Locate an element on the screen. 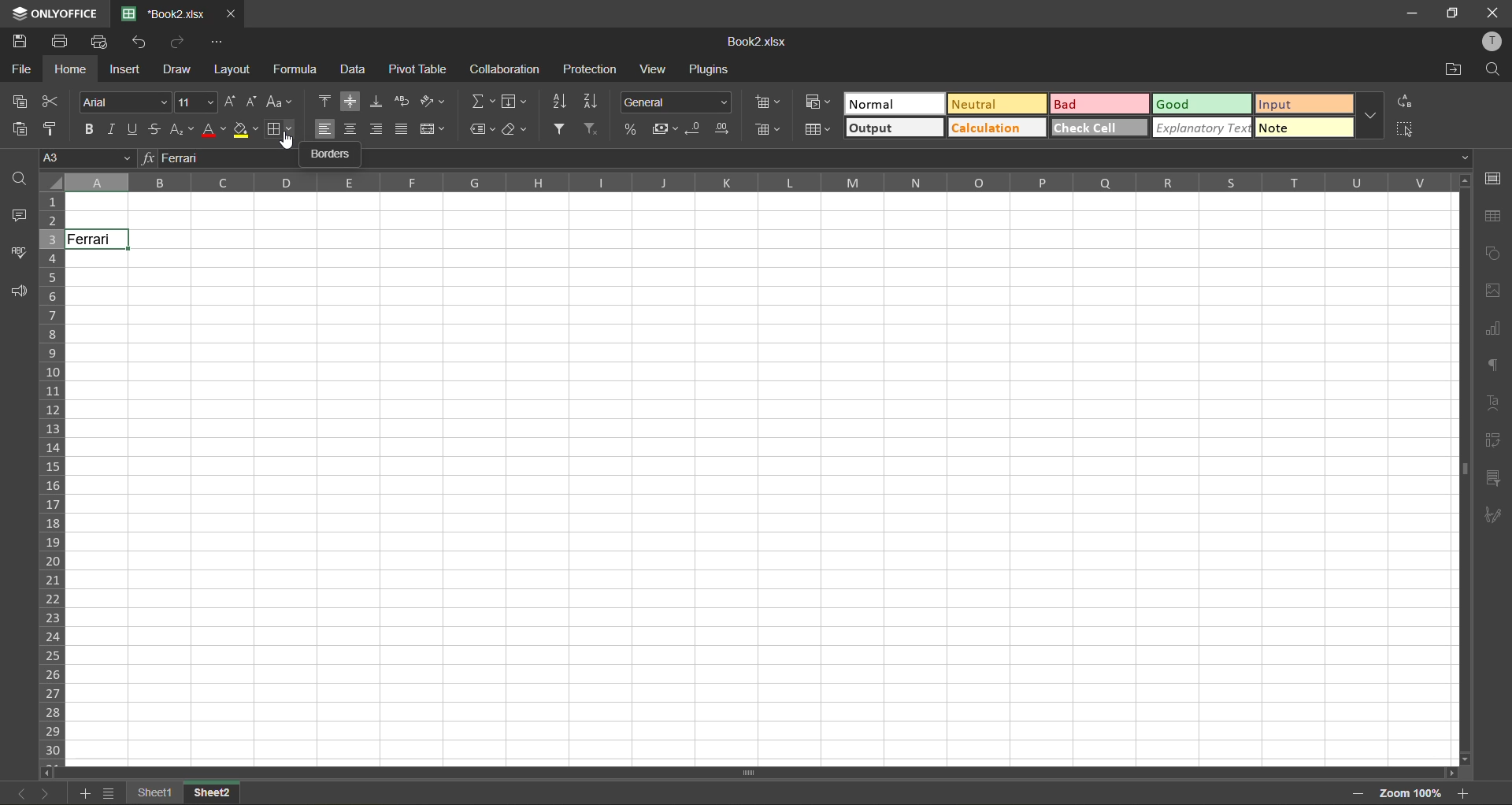  text is located at coordinates (1496, 402).